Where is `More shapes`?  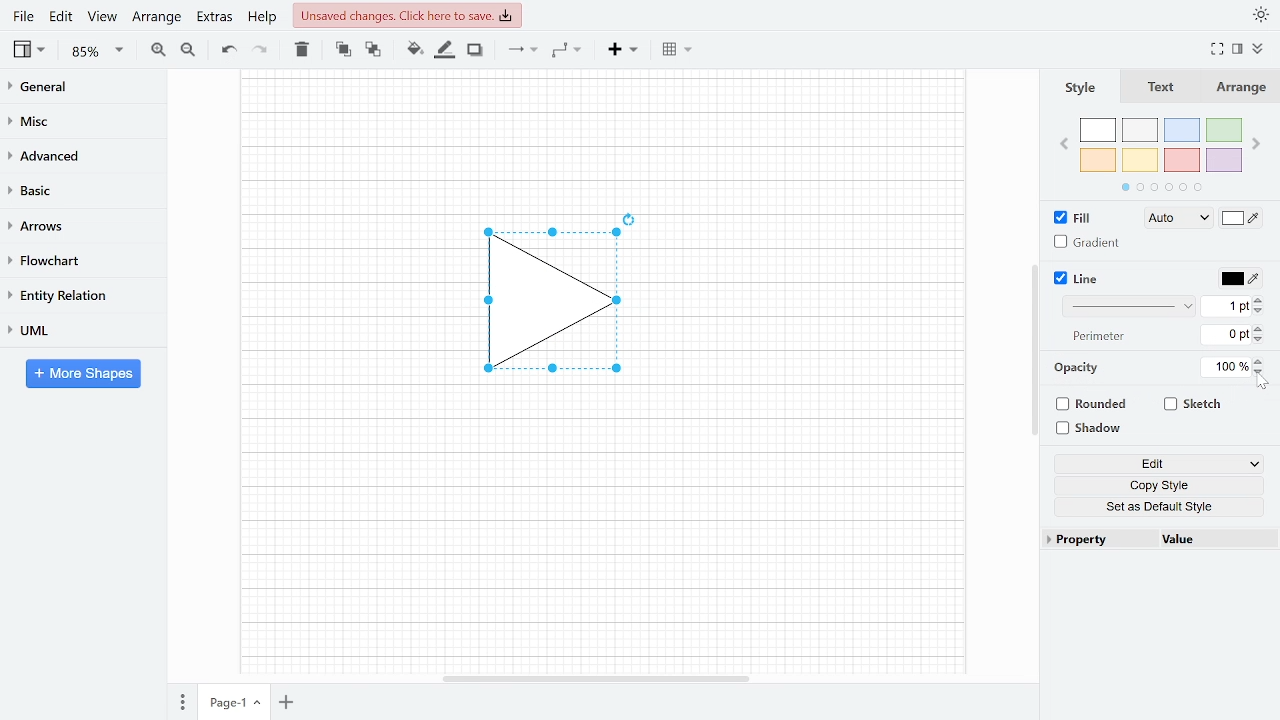 More shapes is located at coordinates (83, 373).